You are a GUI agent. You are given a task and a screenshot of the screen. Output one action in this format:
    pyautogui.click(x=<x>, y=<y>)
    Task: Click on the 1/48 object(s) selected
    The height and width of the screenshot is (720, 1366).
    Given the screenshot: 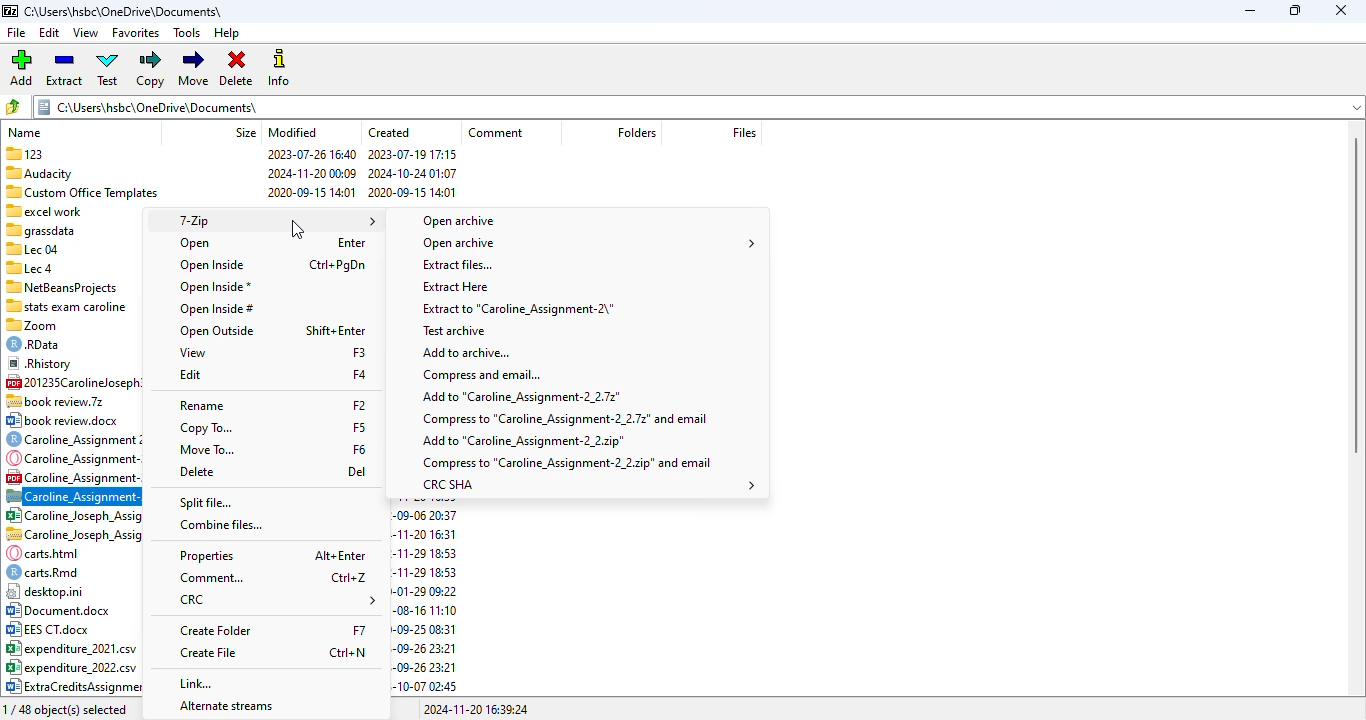 What is the action you would take?
    pyautogui.click(x=66, y=709)
    